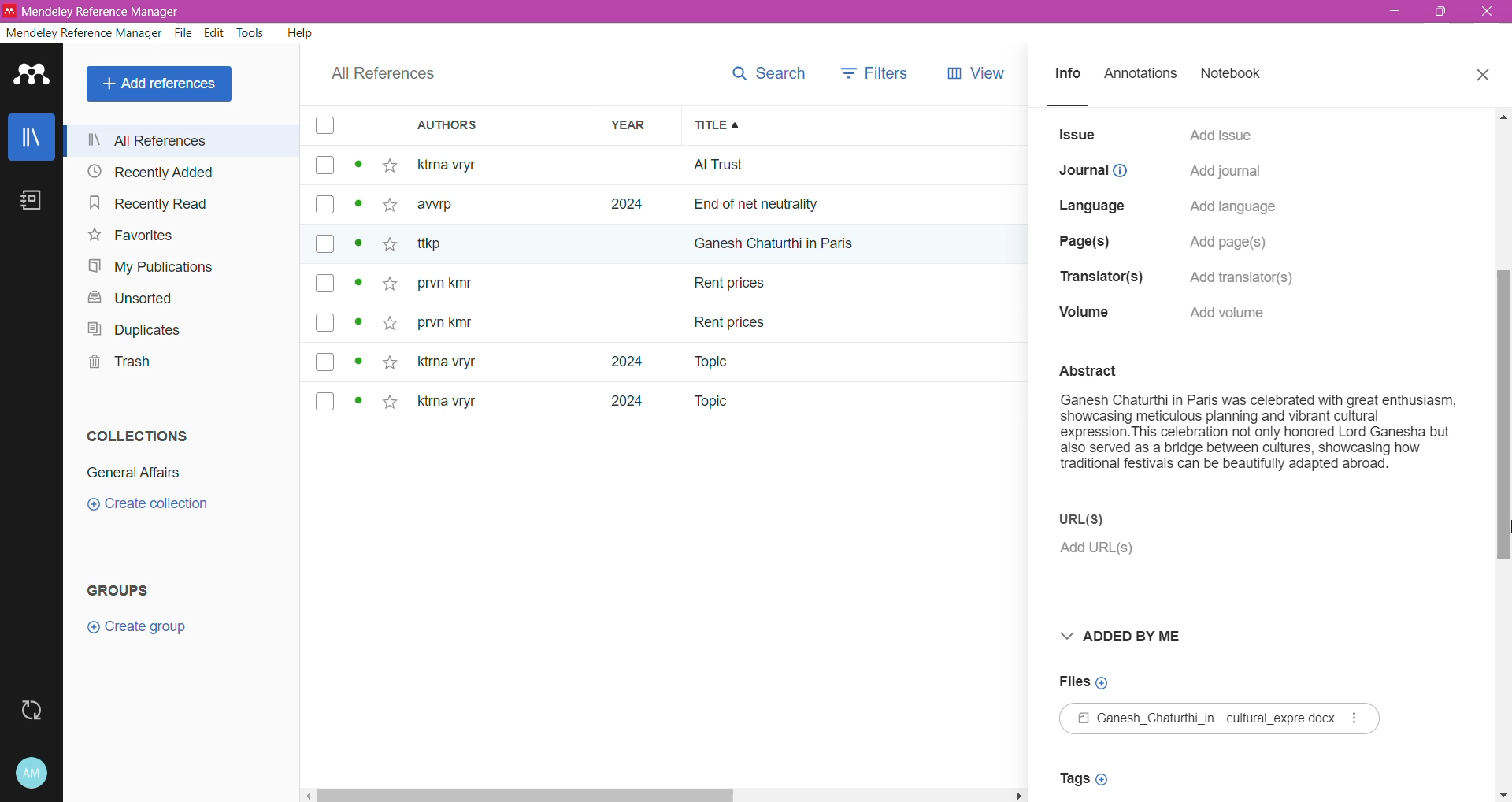 This screenshot has width=1512, height=802. I want to click on Recently Added, so click(152, 173).